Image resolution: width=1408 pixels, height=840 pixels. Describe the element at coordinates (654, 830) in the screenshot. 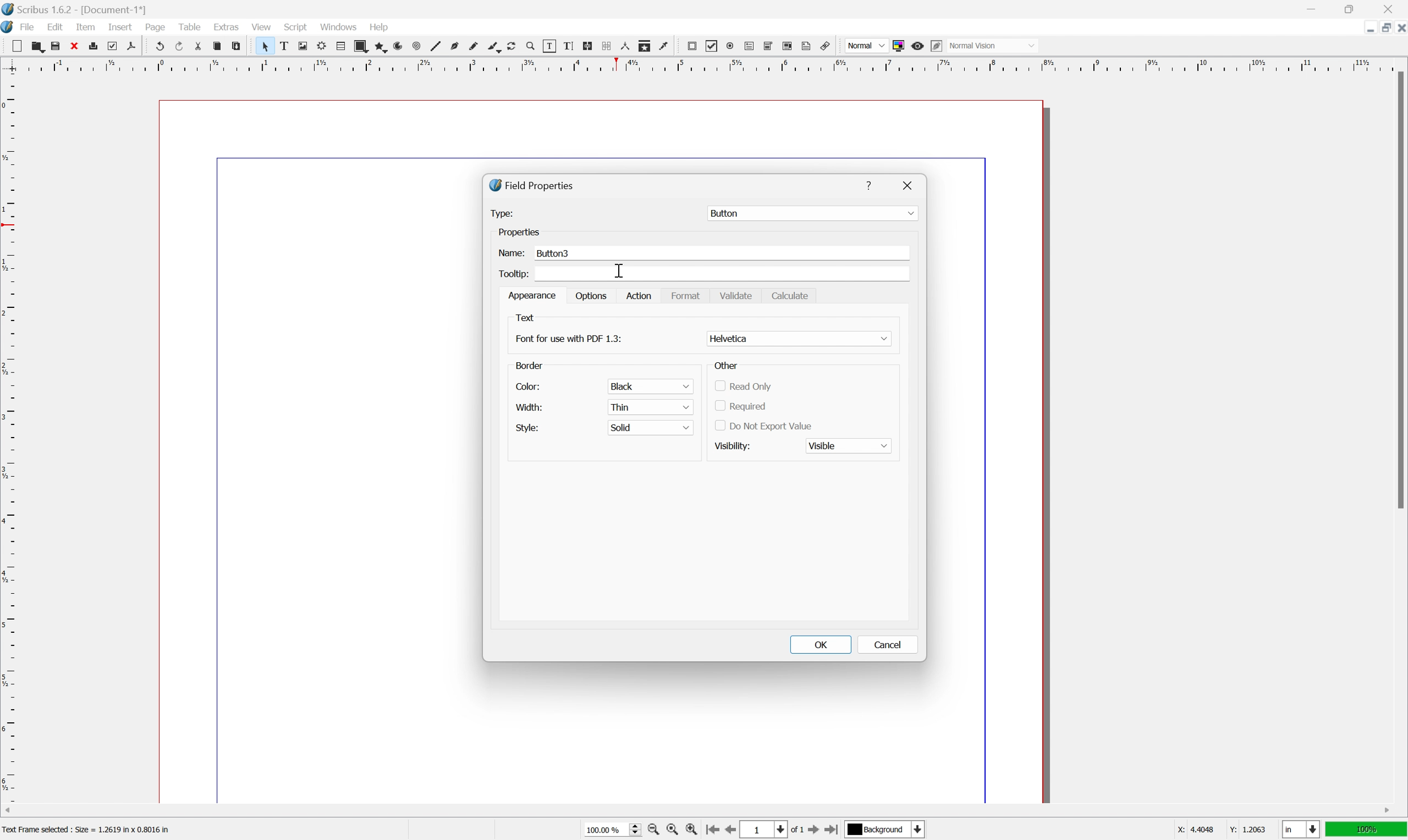

I see `zoom out` at that location.